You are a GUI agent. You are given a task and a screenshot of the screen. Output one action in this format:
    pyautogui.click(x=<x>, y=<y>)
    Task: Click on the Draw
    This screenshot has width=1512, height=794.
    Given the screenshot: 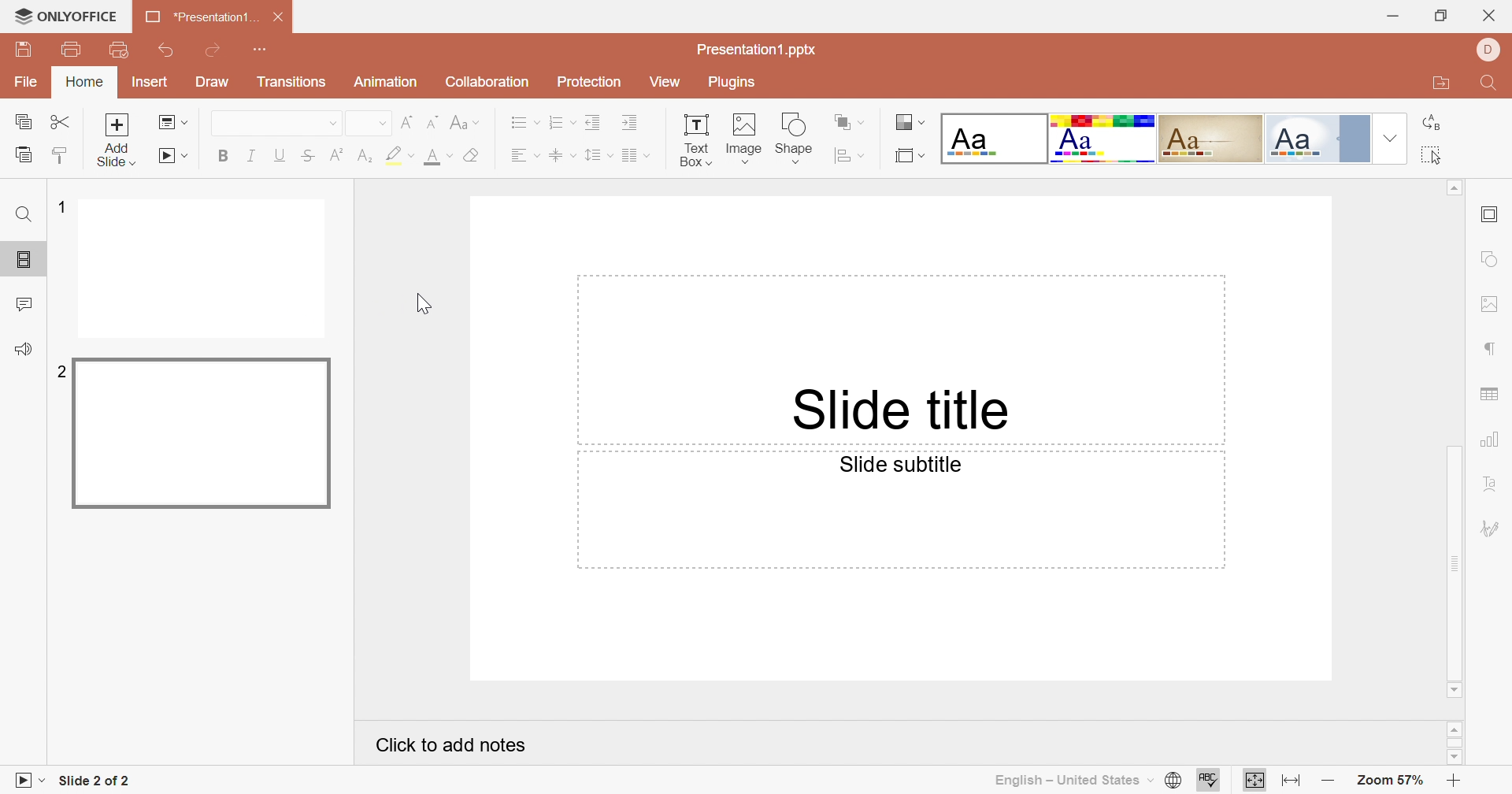 What is the action you would take?
    pyautogui.click(x=215, y=84)
    